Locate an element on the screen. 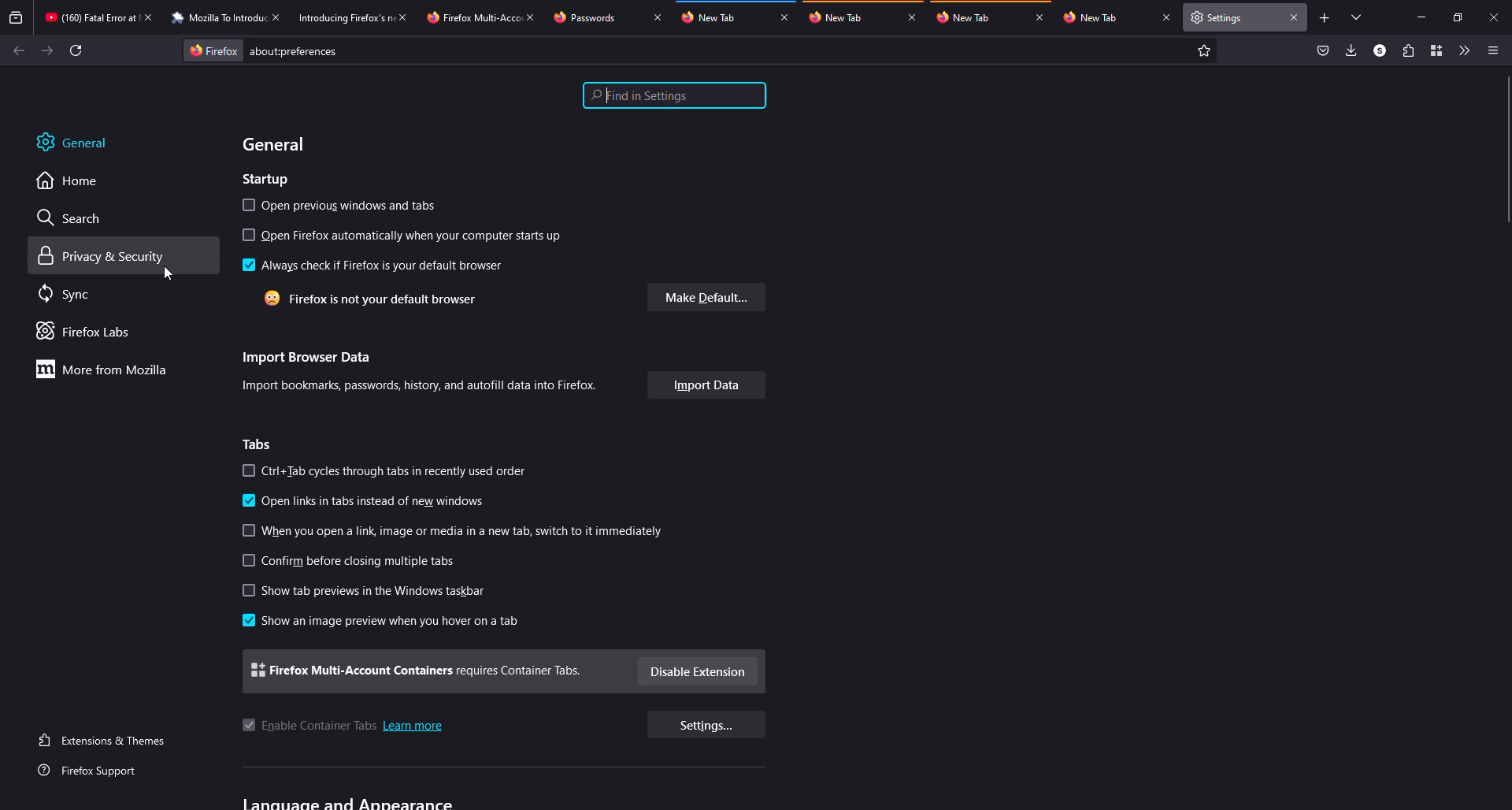  add tab is located at coordinates (1325, 18).